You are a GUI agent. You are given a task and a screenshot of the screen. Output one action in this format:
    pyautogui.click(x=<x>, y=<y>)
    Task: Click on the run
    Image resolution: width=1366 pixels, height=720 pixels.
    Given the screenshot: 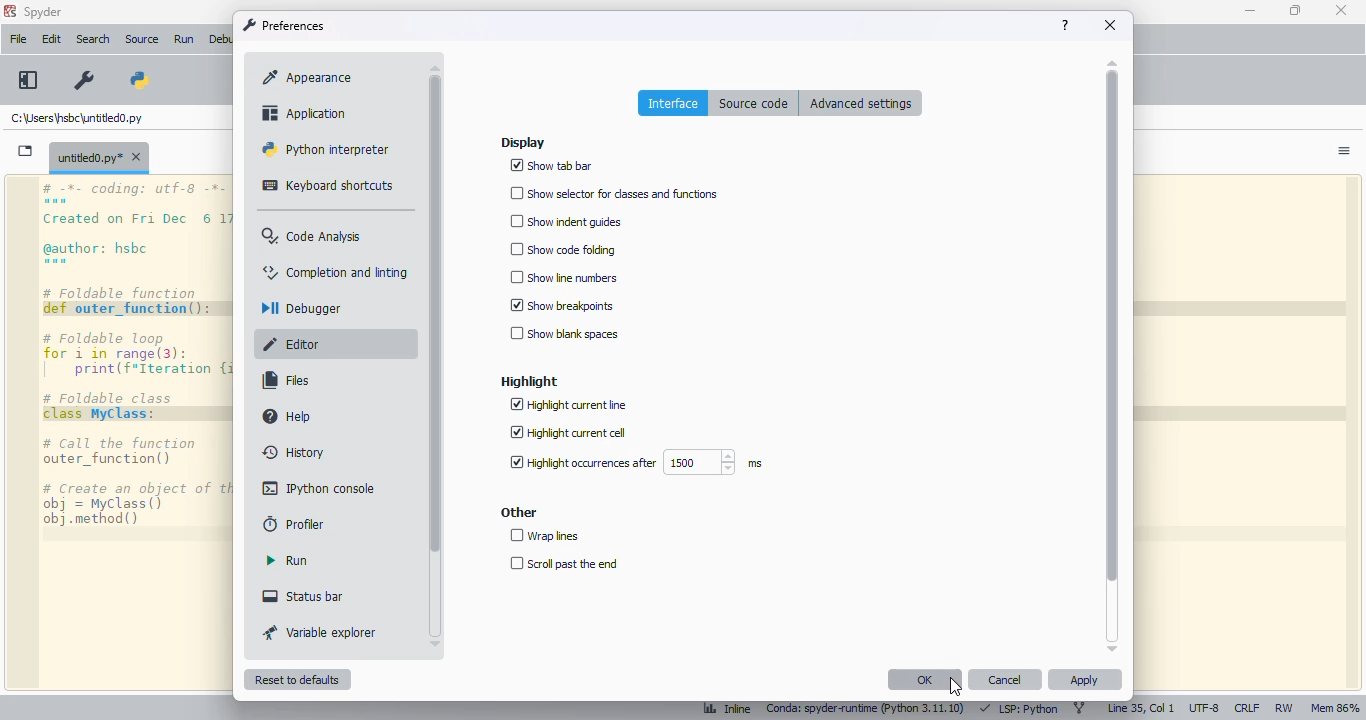 What is the action you would take?
    pyautogui.click(x=286, y=560)
    